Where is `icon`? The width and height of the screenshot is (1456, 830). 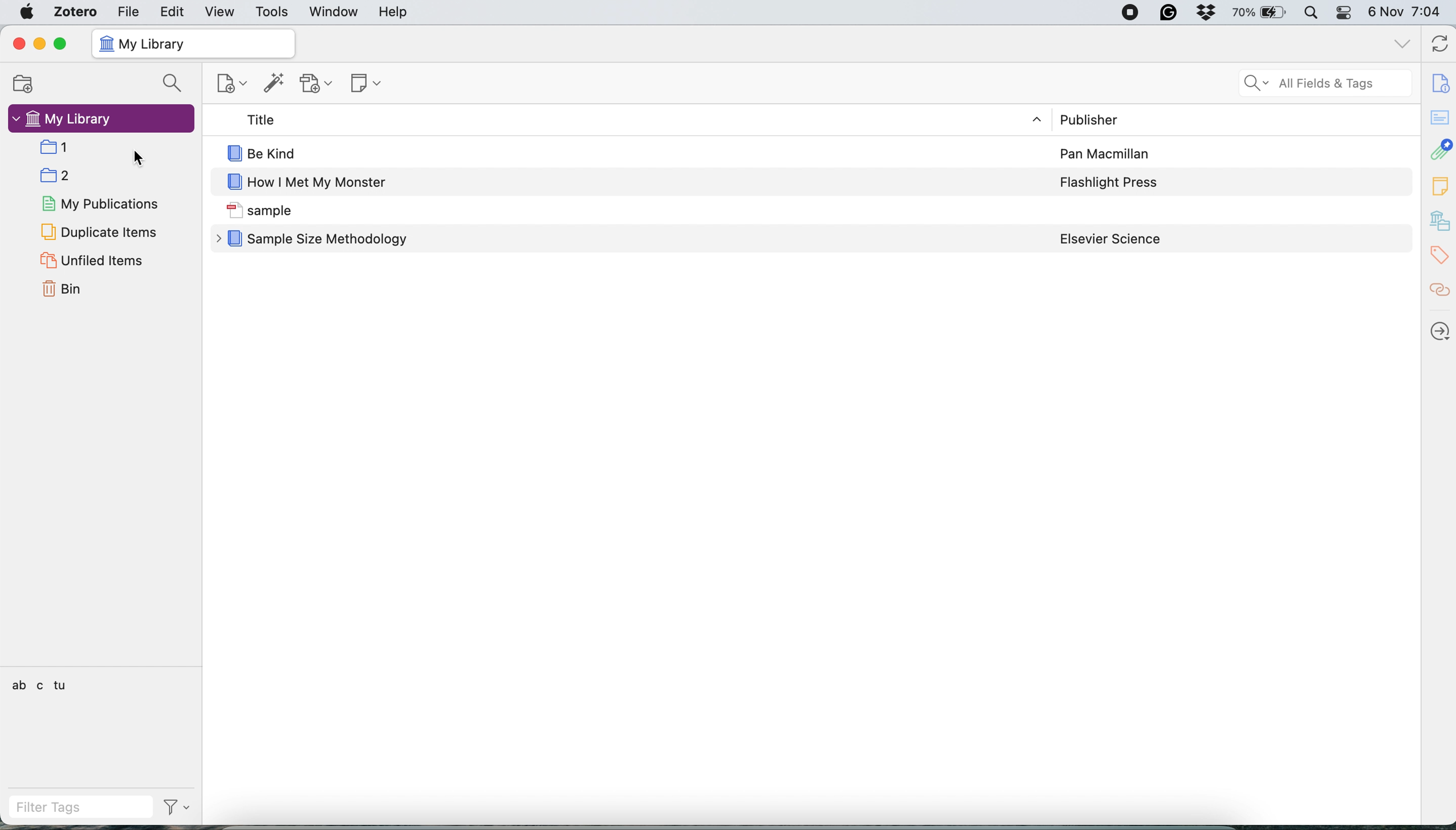 icon is located at coordinates (107, 44).